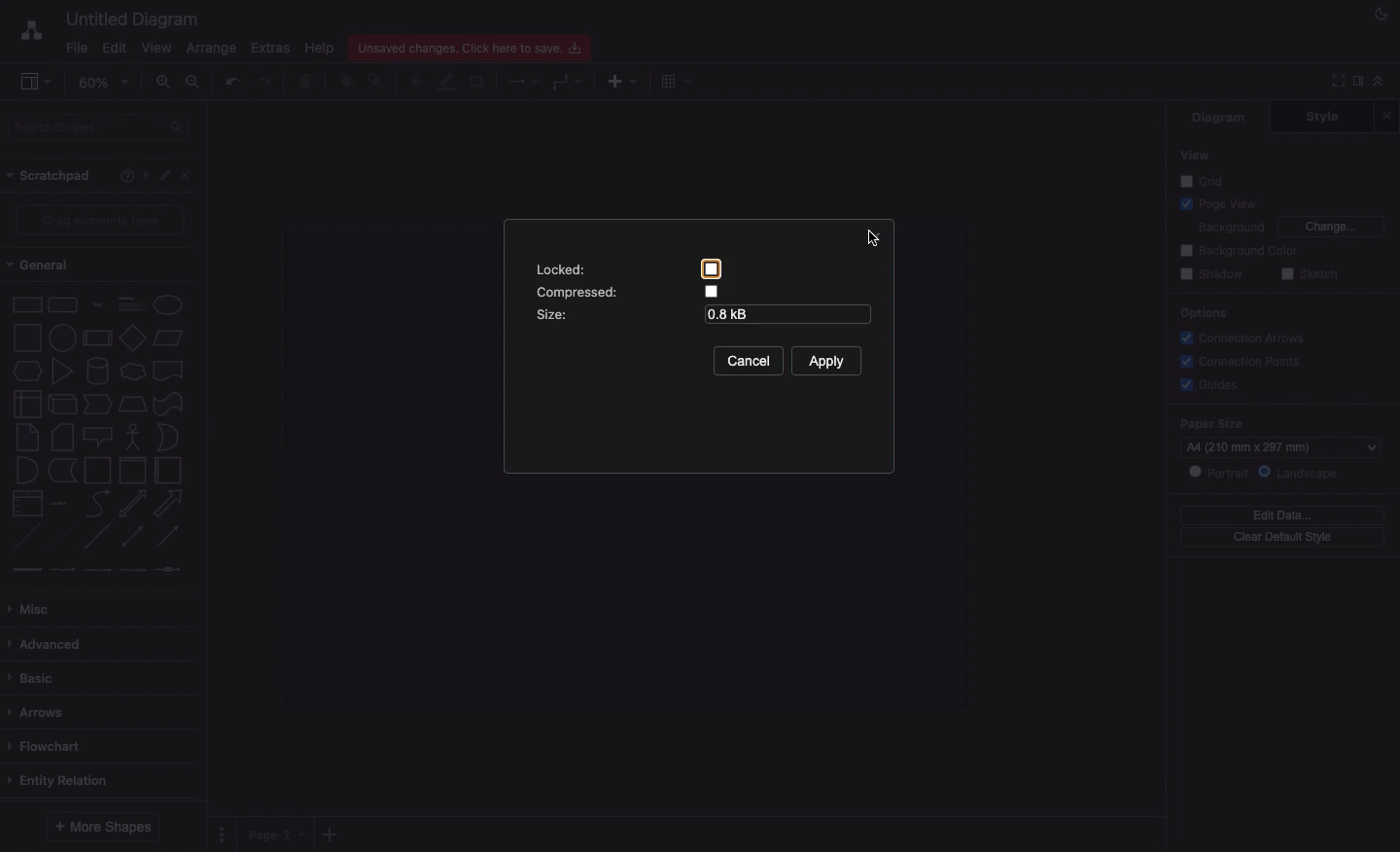 This screenshot has width=1400, height=852. Describe the element at coordinates (104, 828) in the screenshot. I see `More shapes` at that location.